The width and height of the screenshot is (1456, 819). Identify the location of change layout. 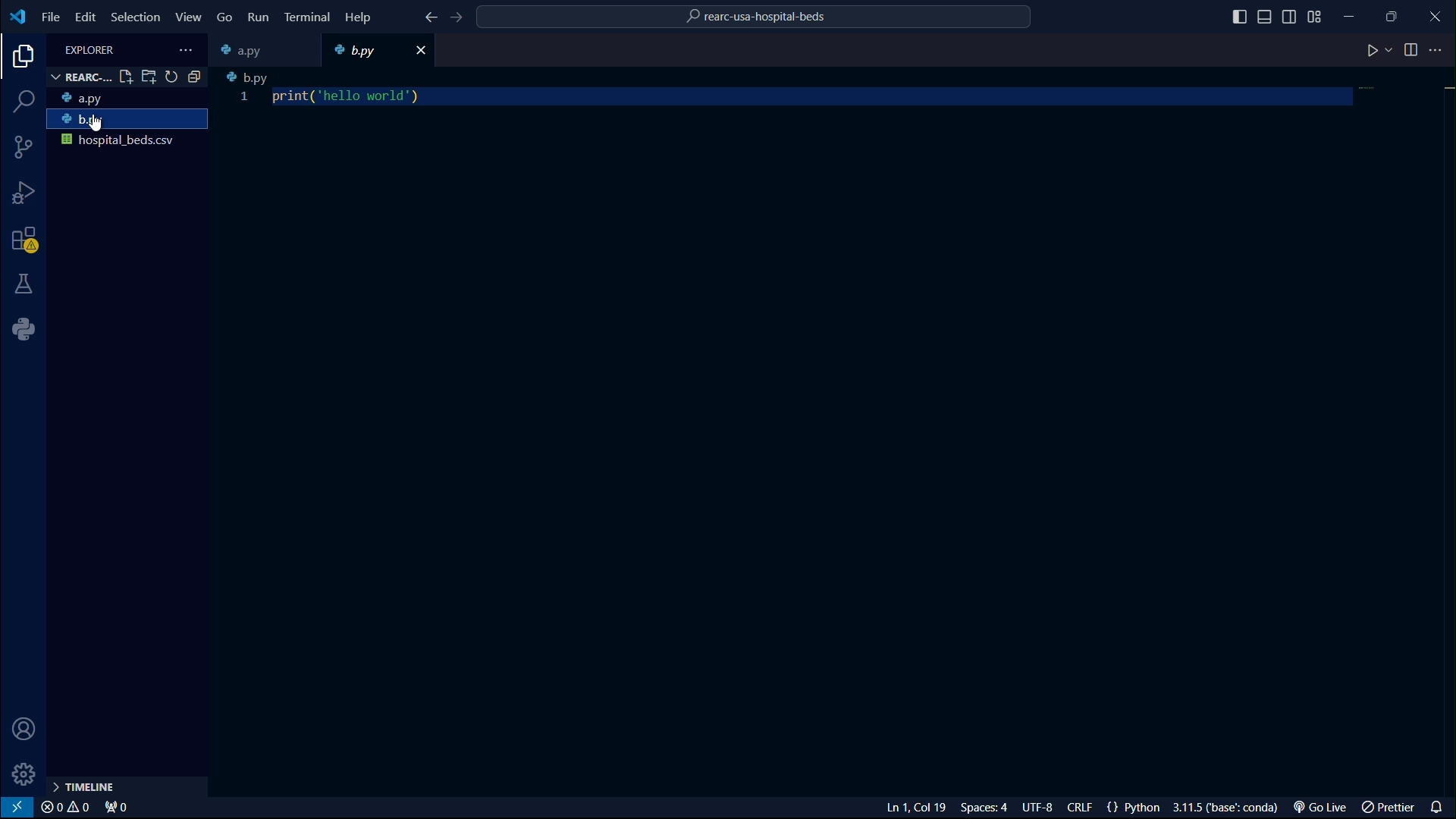
(1320, 14).